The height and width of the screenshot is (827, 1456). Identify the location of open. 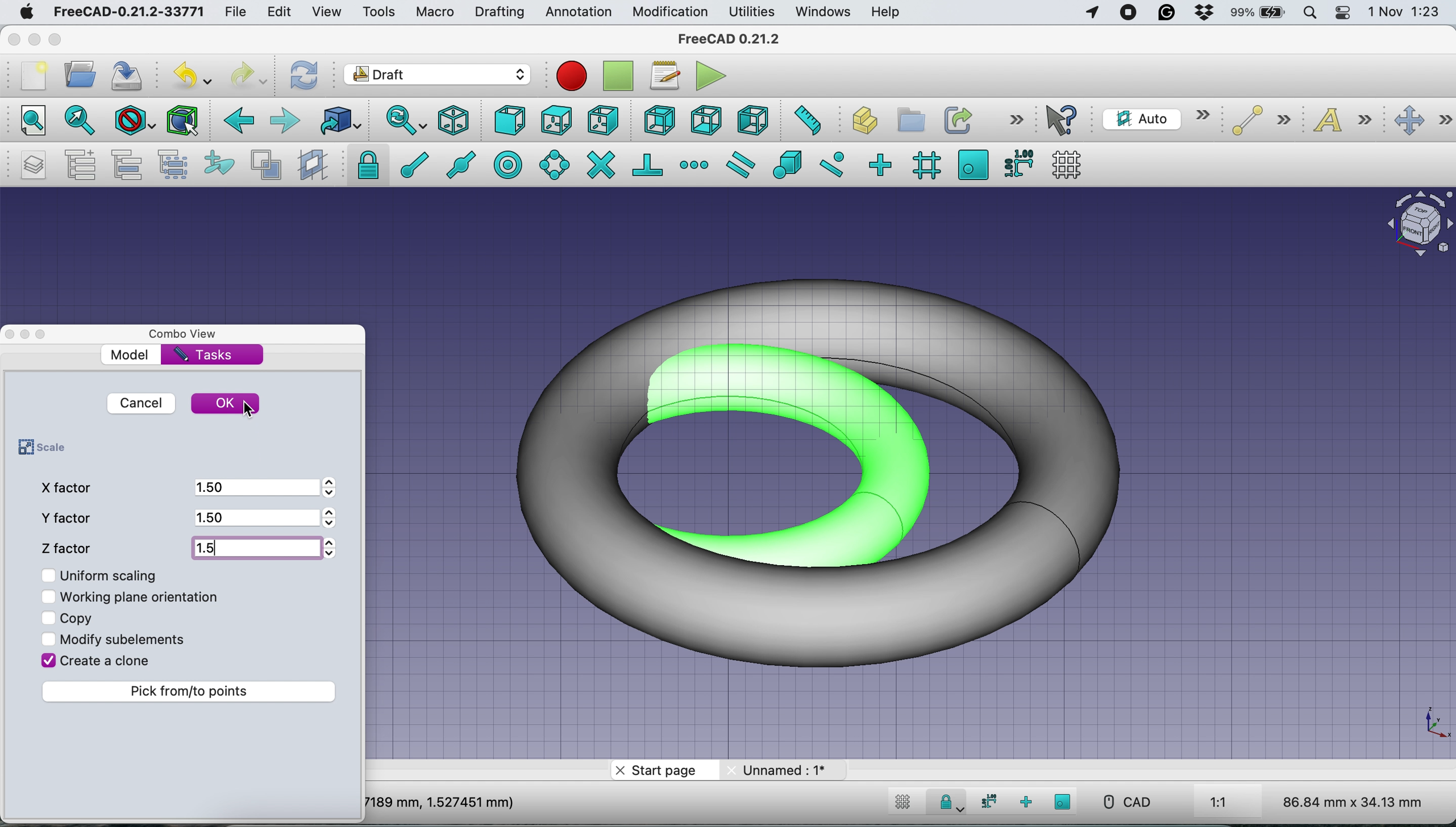
(80, 77).